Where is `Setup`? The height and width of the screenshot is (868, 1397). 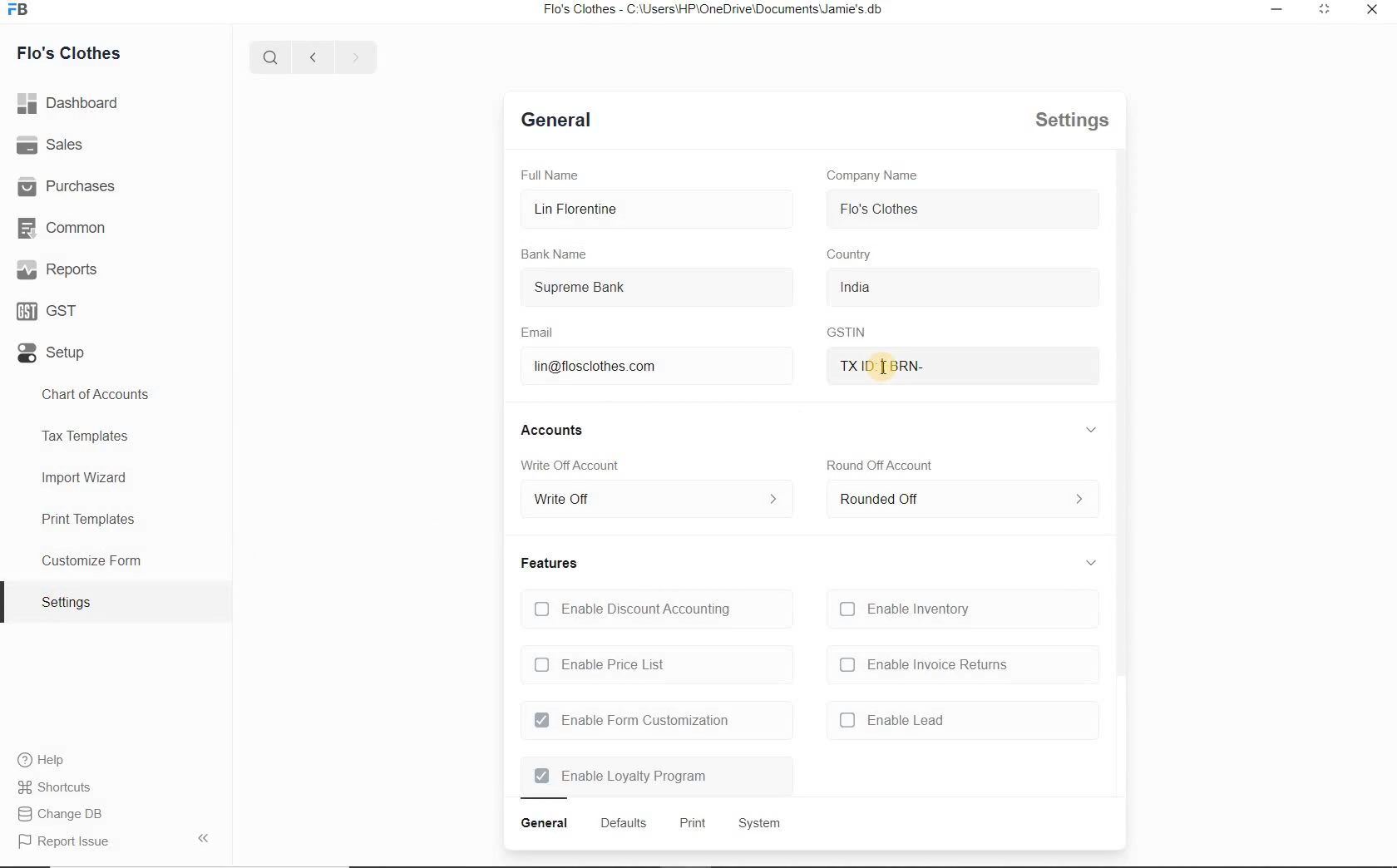 Setup is located at coordinates (55, 351).